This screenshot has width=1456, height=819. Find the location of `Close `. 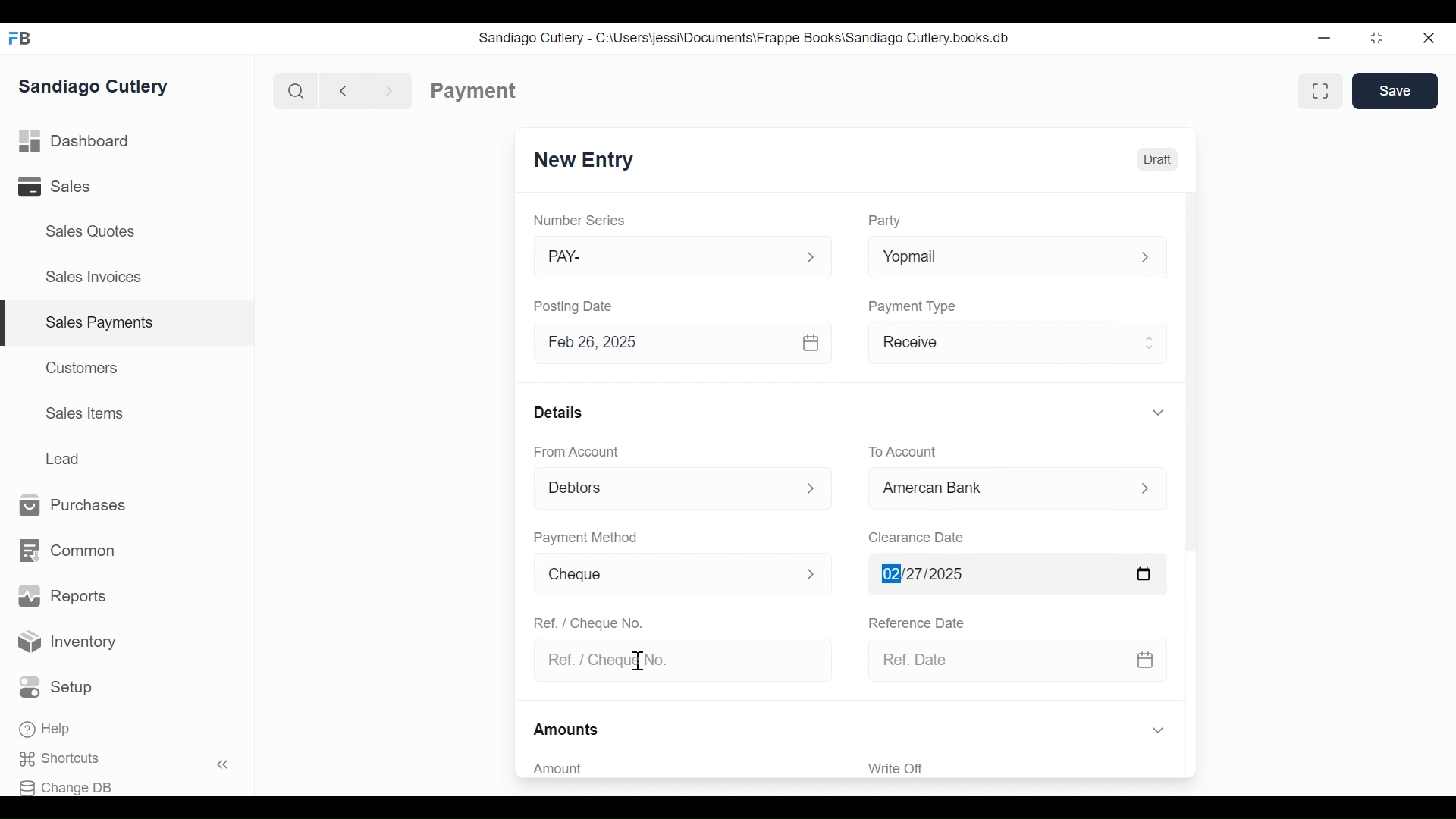

Close  is located at coordinates (1430, 38).